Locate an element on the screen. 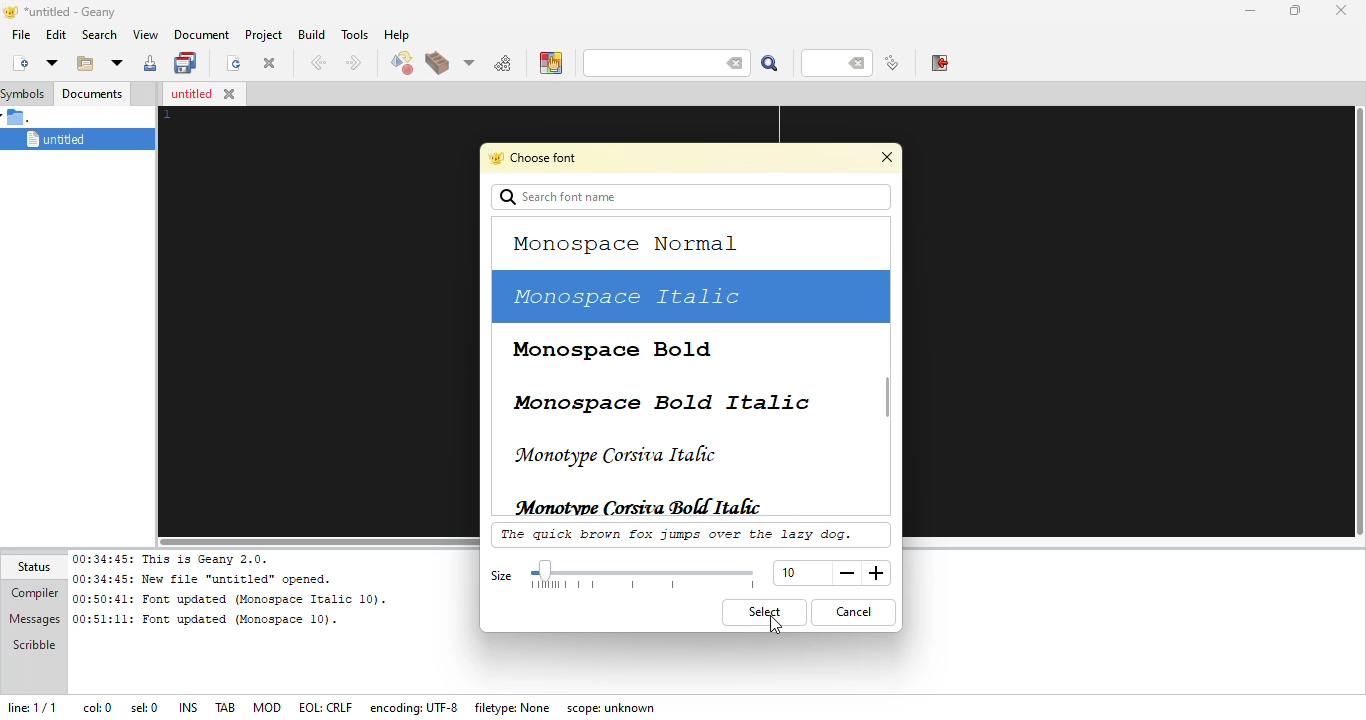 The image size is (1366, 720). open existing is located at coordinates (83, 63).